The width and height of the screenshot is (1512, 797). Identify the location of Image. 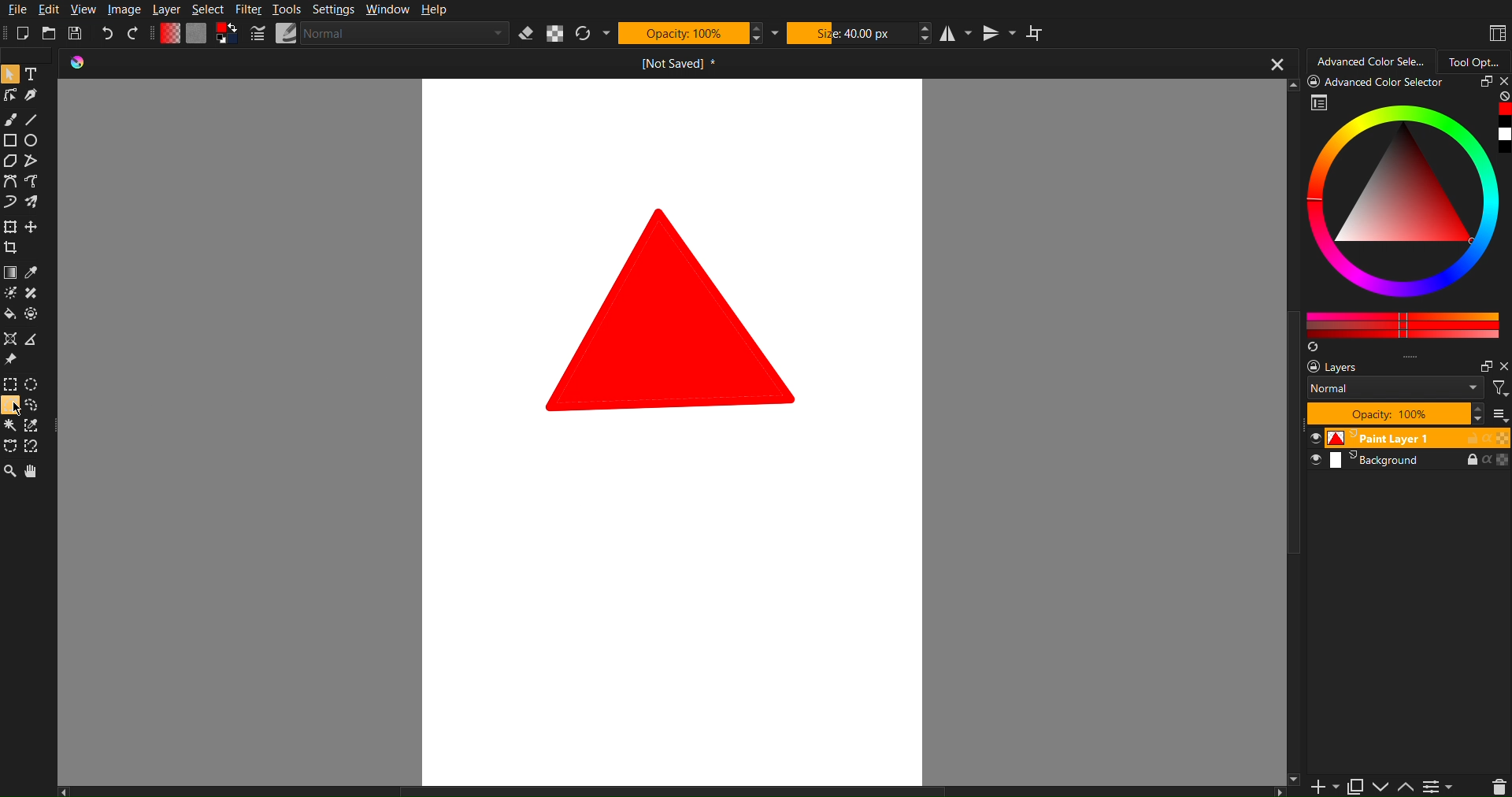
(121, 9).